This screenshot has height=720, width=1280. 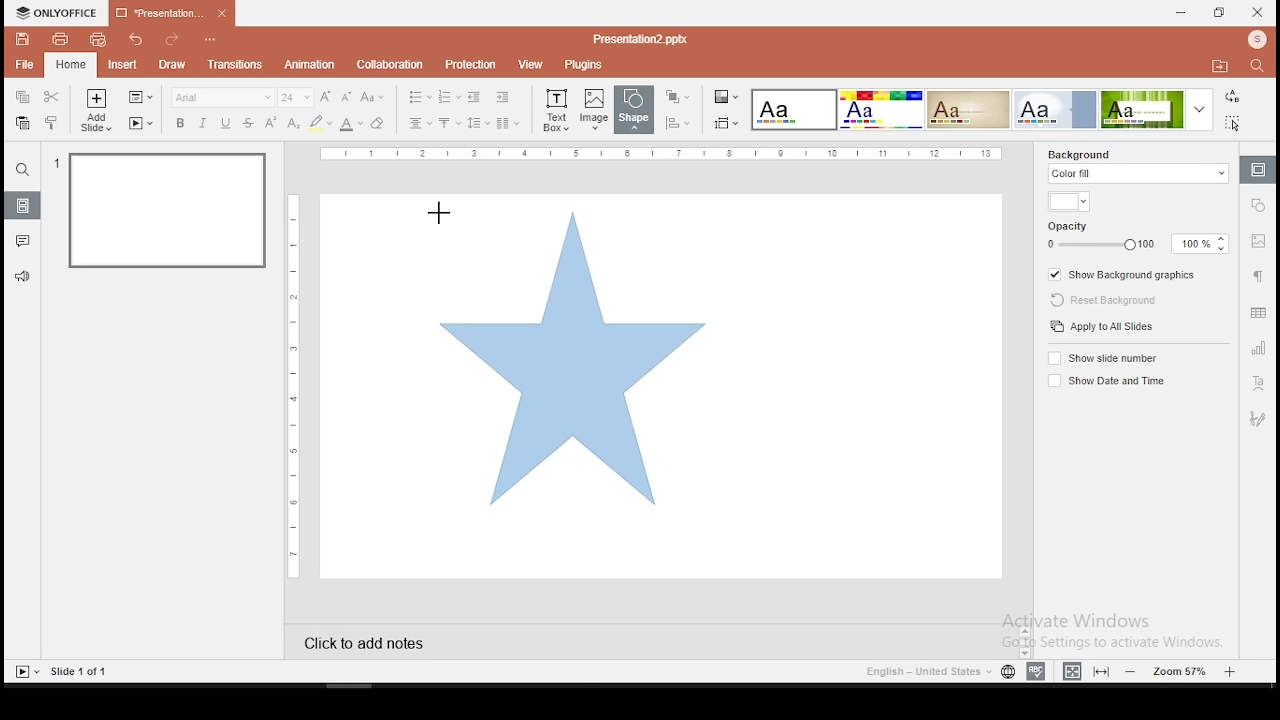 What do you see at coordinates (726, 123) in the screenshot?
I see `select slide size` at bounding box center [726, 123].